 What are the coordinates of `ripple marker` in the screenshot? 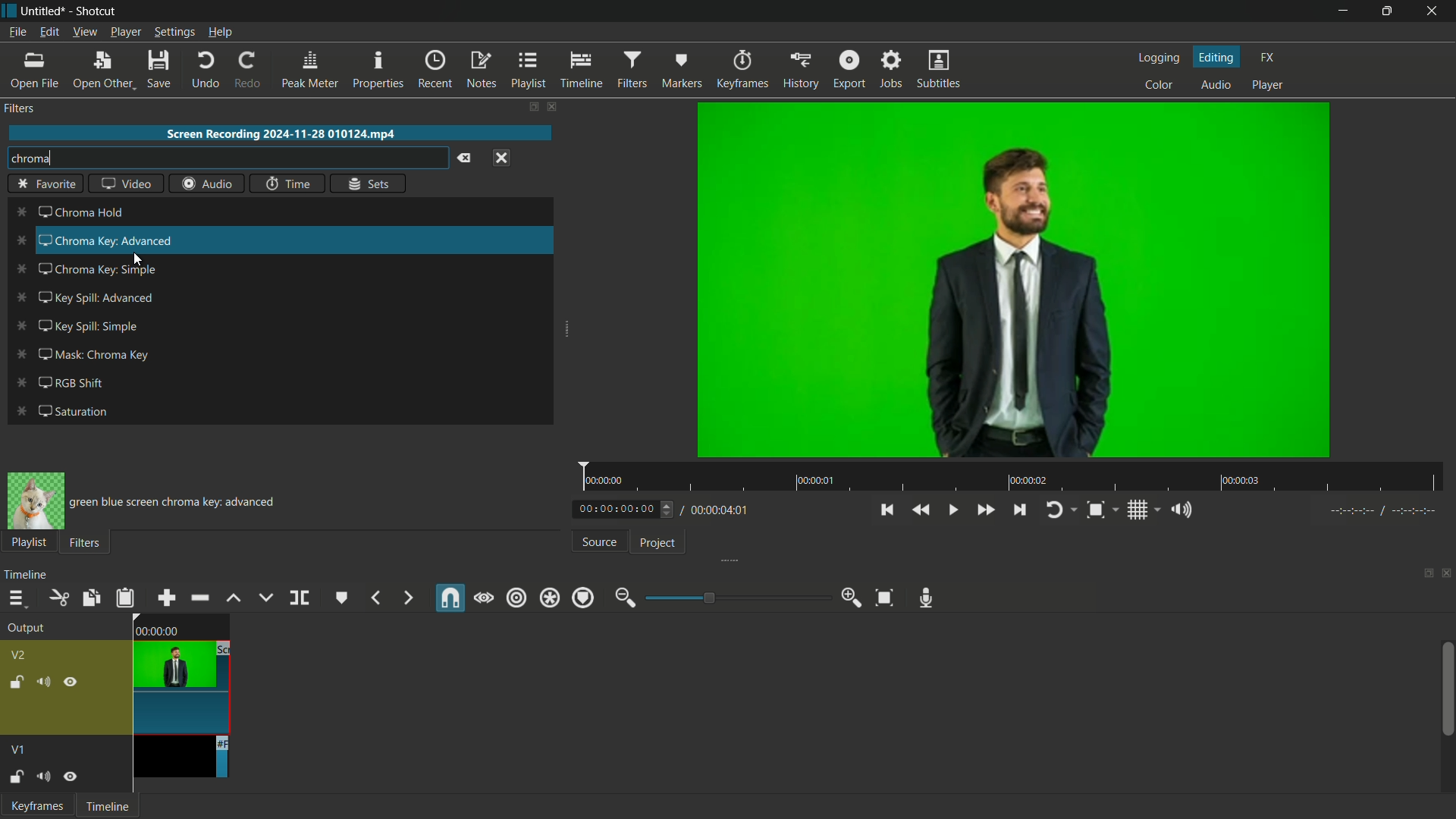 It's located at (582, 598).